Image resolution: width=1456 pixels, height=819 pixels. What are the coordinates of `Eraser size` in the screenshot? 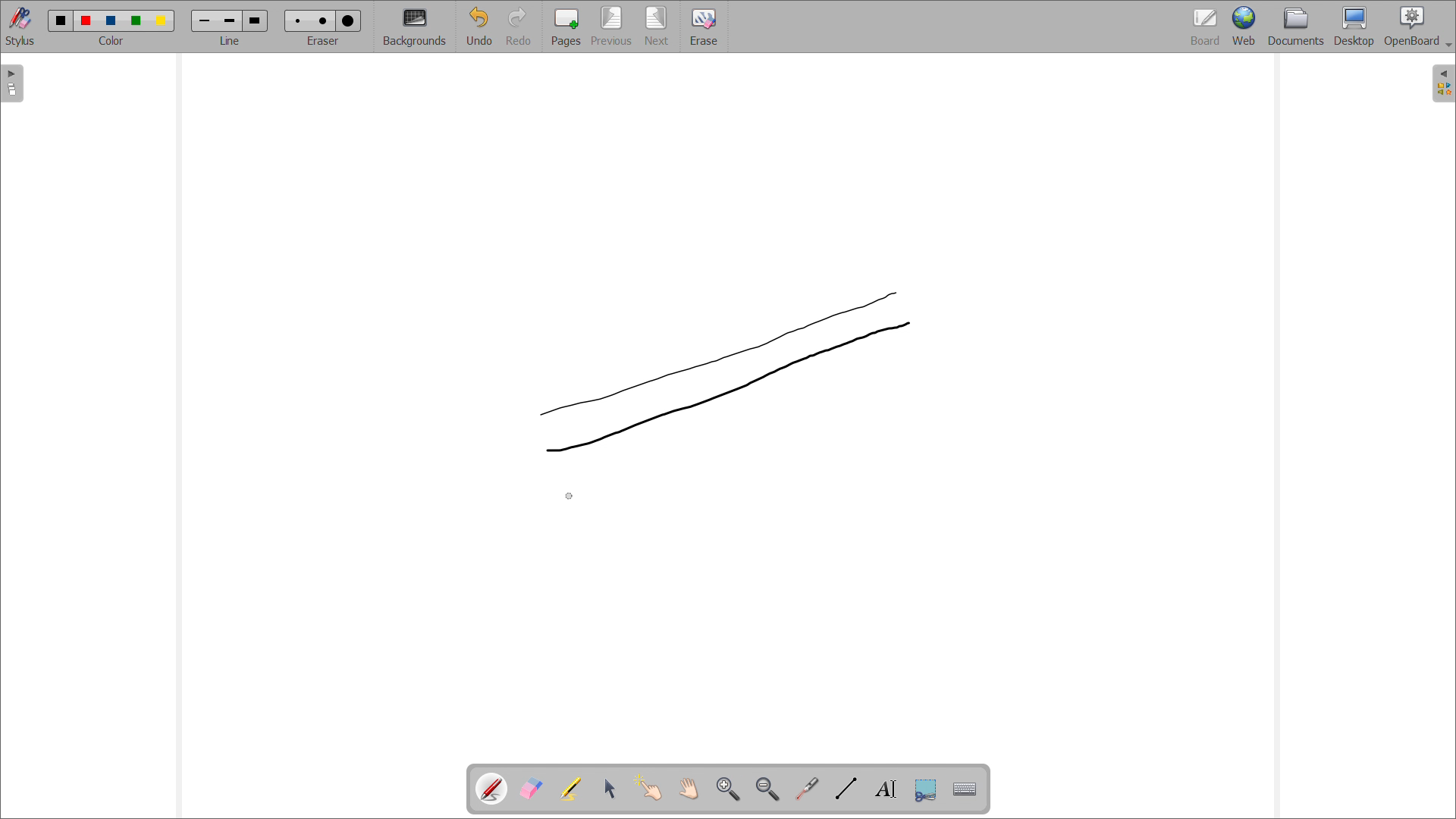 It's located at (299, 20).